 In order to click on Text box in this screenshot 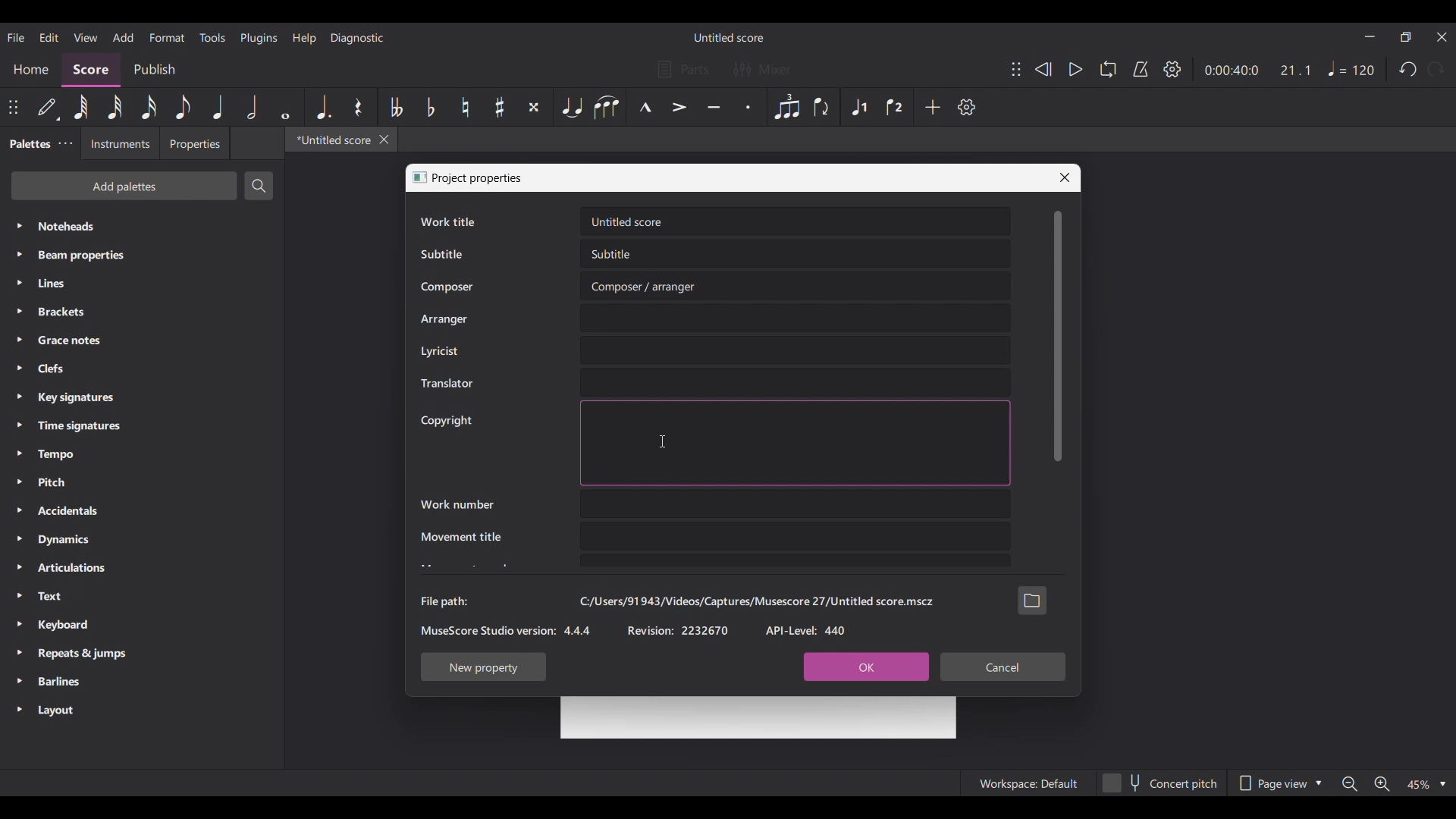, I will do `click(795, 561)`.